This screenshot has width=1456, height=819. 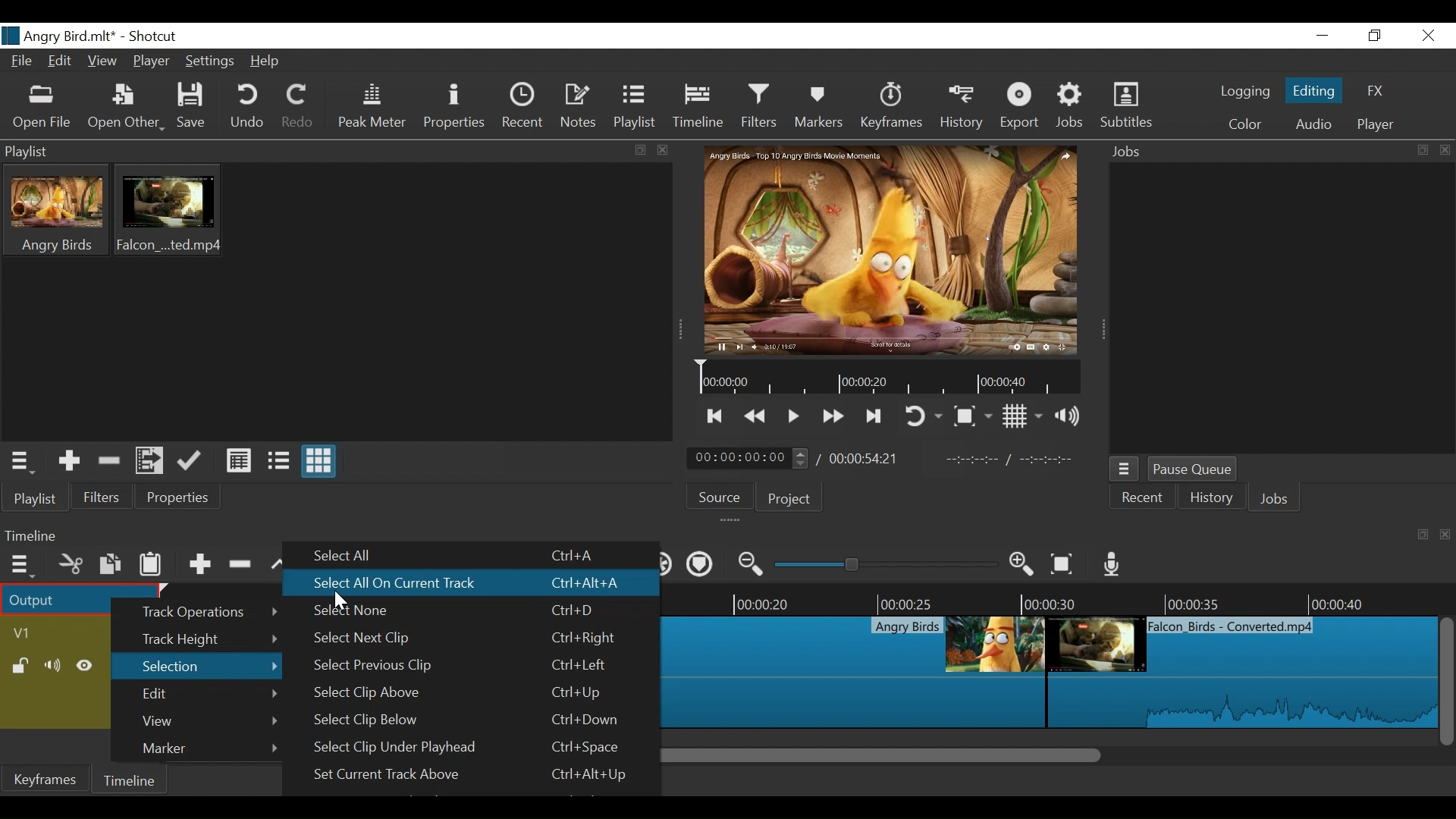 I want to click on Marker, so click(x=207, y=748).